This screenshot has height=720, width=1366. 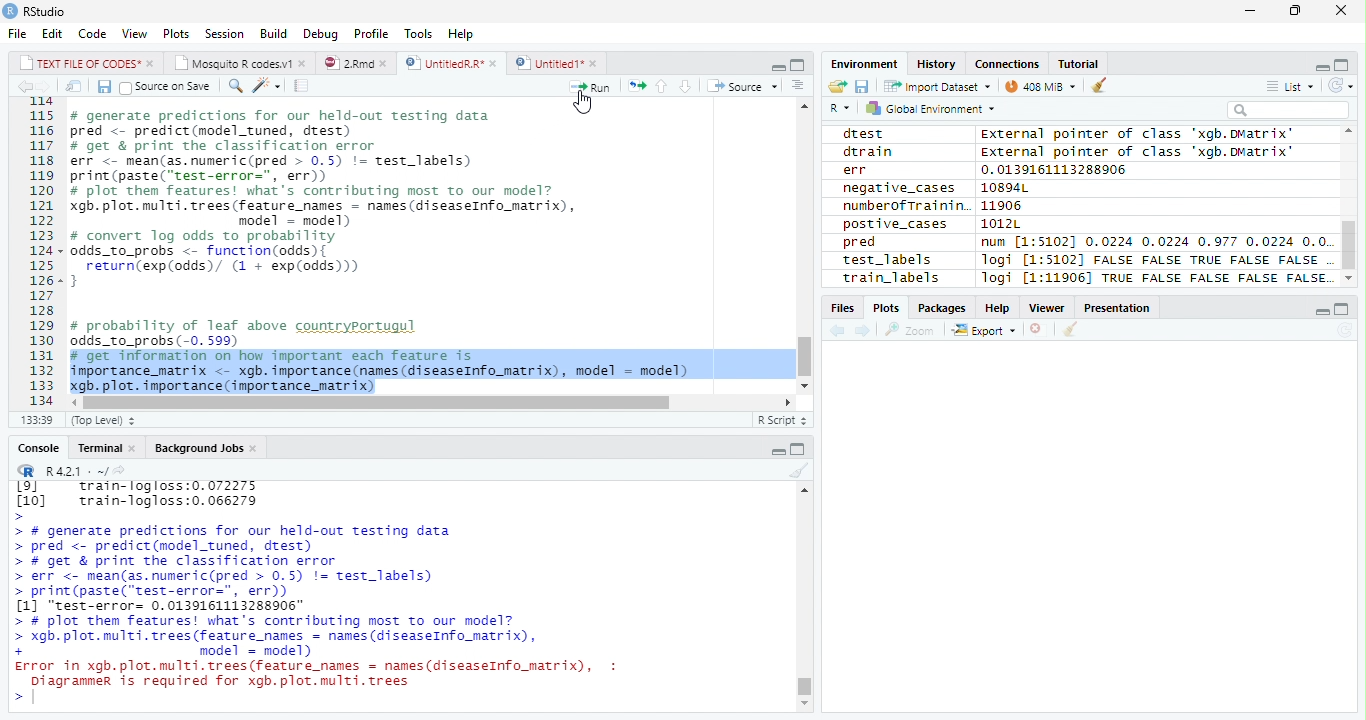 I want to click on Files, so click(x=842, y=308).